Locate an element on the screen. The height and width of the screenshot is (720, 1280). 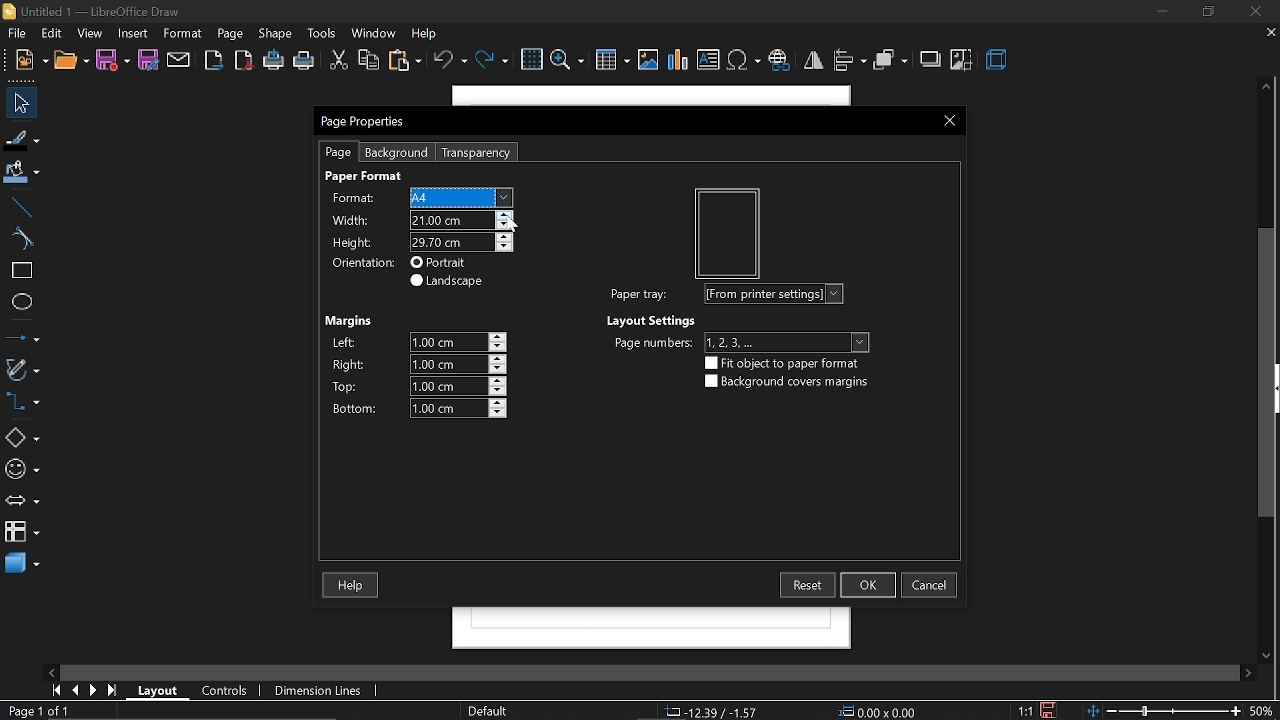
page is located at coordinates (338, 152).